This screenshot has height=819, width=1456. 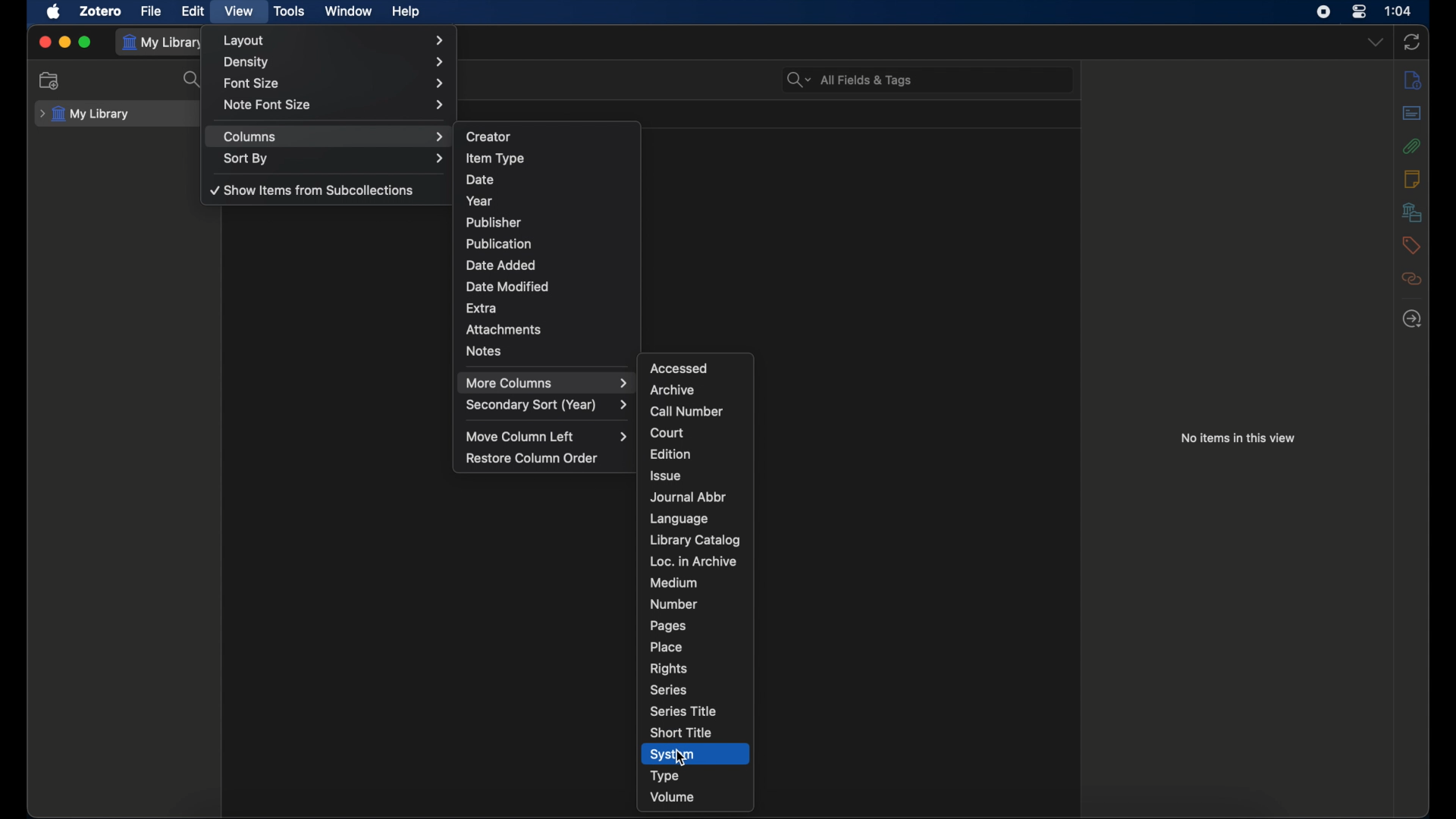 What do you see at coordinates (688, 497) in the screenshot?
I see `journal abbr` at bounding box center [688, 497].